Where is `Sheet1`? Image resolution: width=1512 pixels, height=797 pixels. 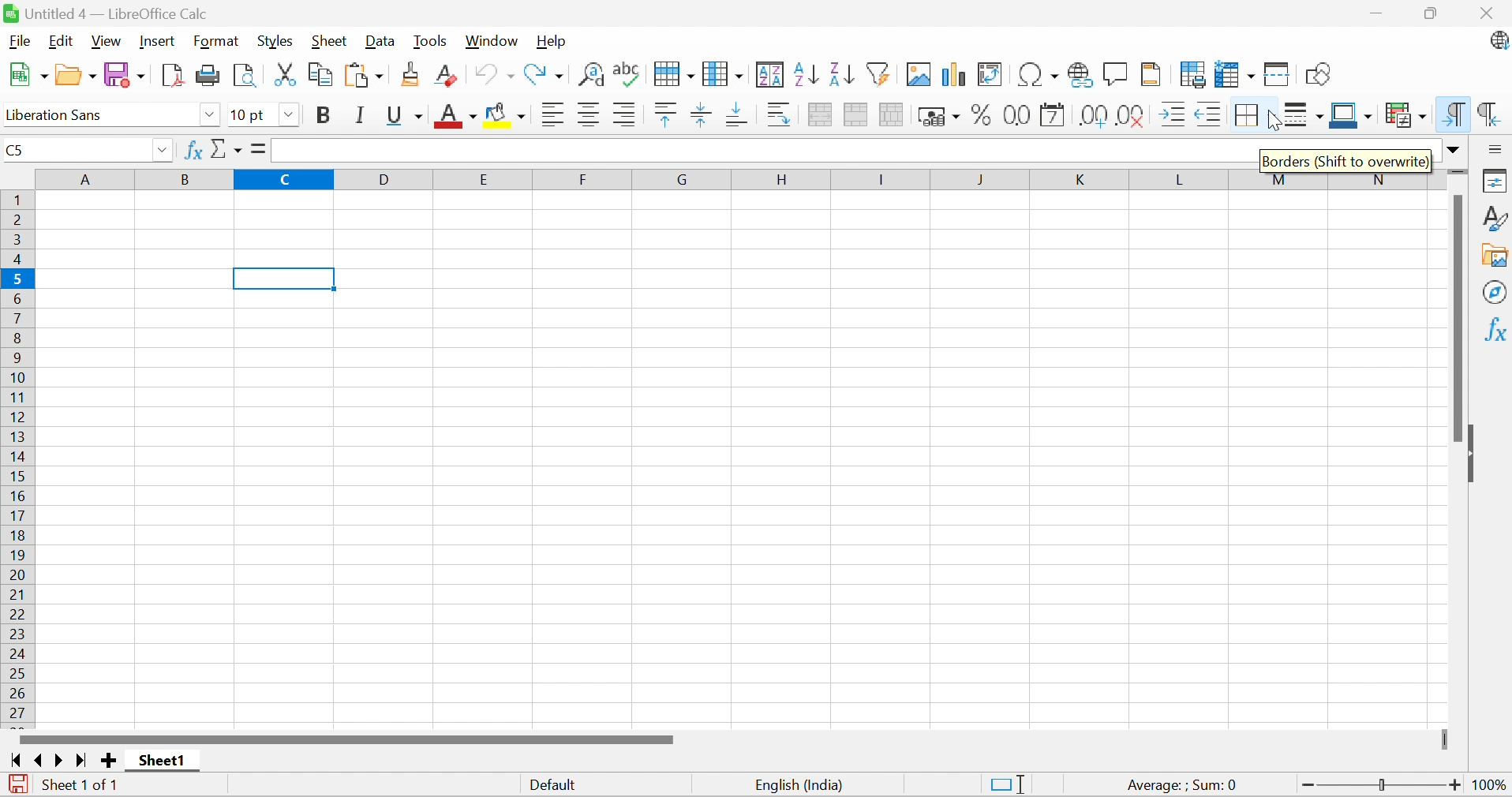 Sheet1 is located at coordinates (163, 761).